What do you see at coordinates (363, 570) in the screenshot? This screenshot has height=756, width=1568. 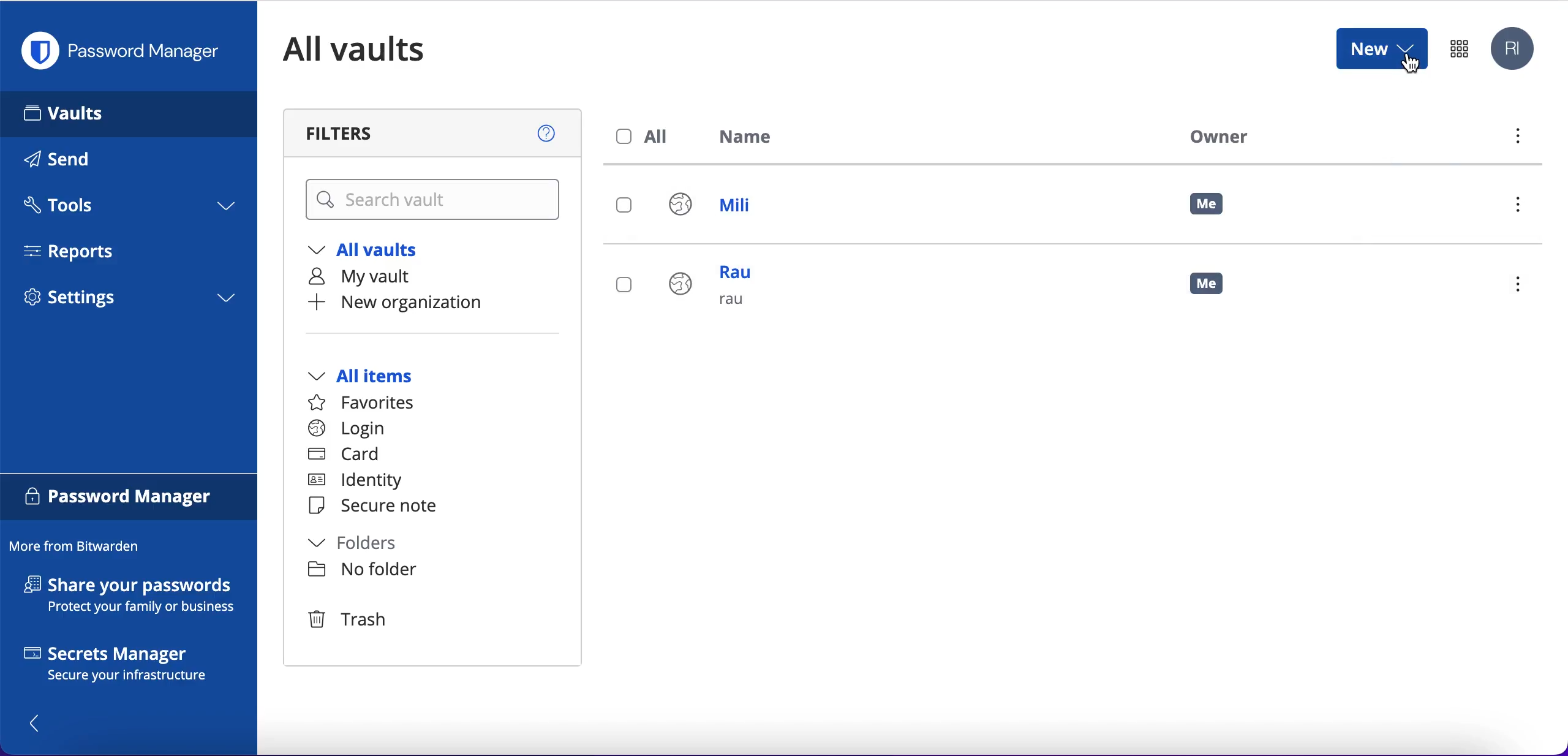 I see `no folder` at bounding box center [363, 570].